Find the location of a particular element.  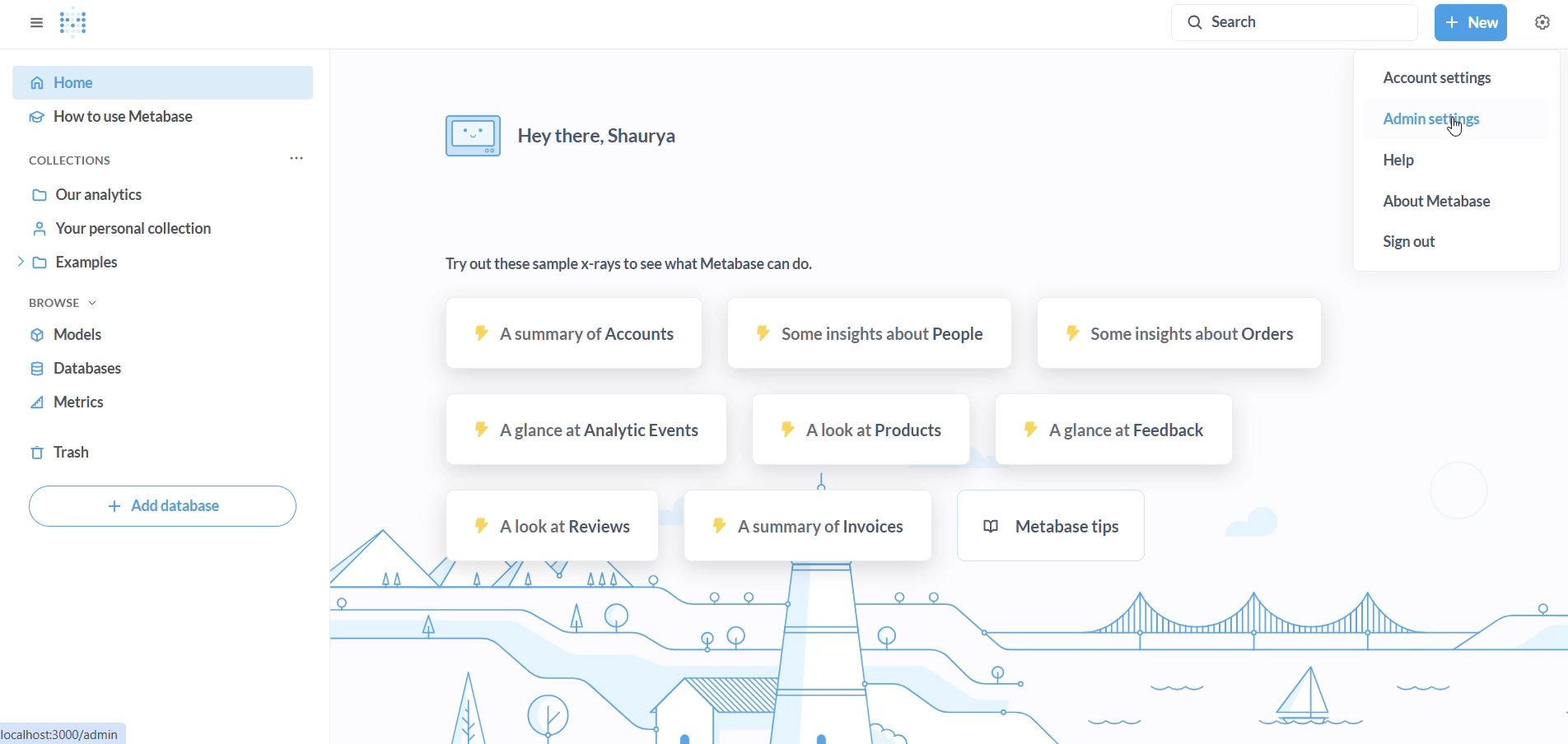

TO Trash is located at coordinates (70, 453).